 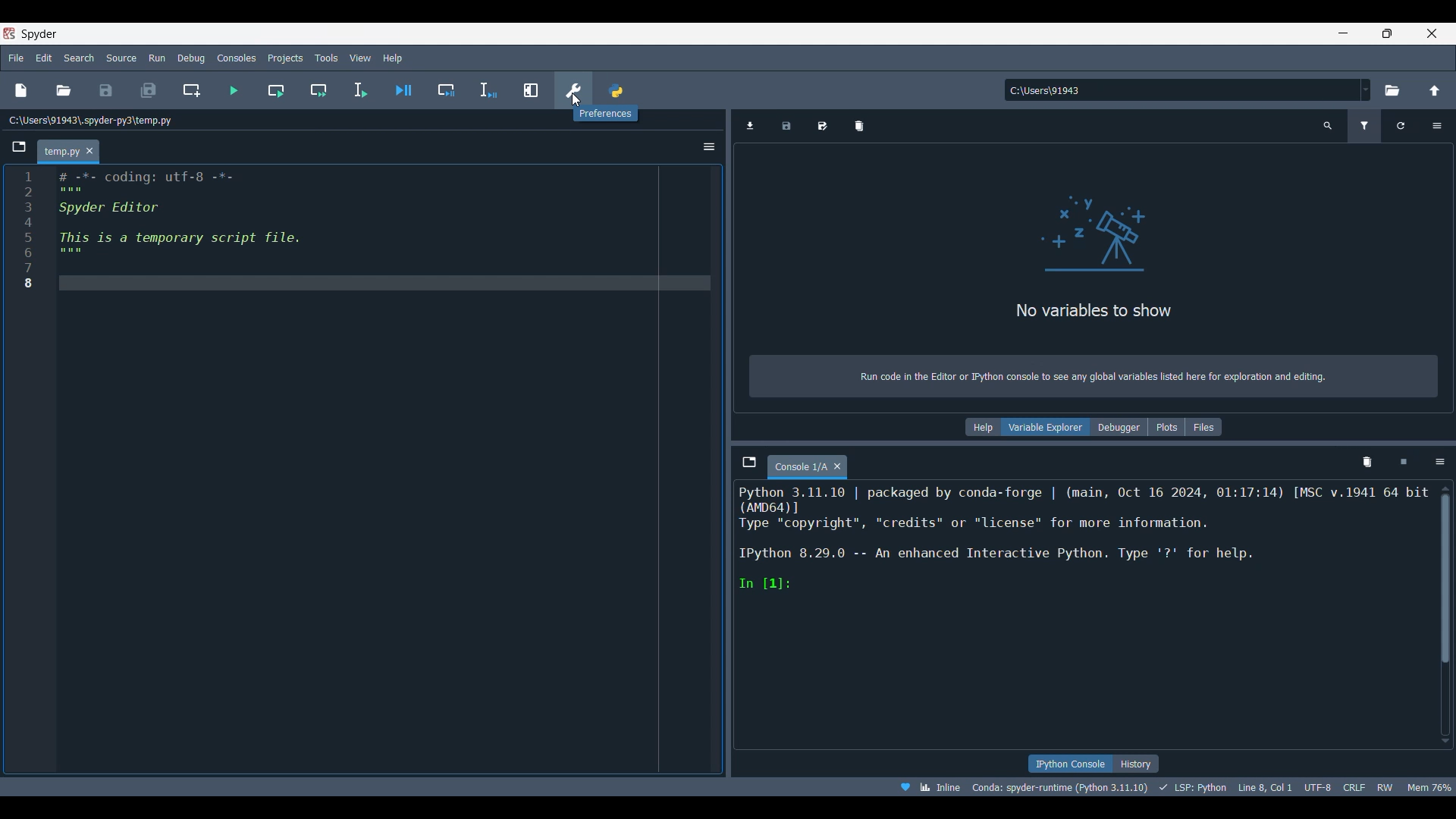 What do you see at coordinates (149, 90) in the screenshot?
I see `Save all files` at bounding box center [149, 90].